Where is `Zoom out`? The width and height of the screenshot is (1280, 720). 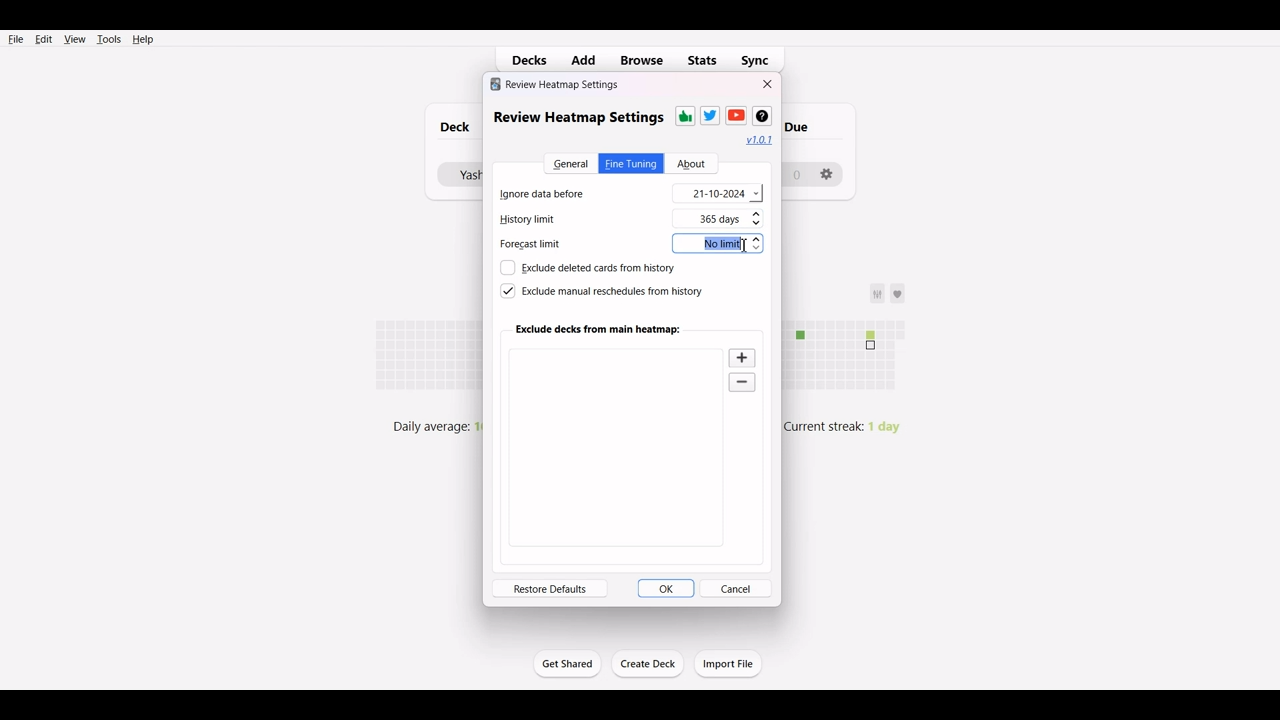 Zoom out is located at coordinates (744, 384).